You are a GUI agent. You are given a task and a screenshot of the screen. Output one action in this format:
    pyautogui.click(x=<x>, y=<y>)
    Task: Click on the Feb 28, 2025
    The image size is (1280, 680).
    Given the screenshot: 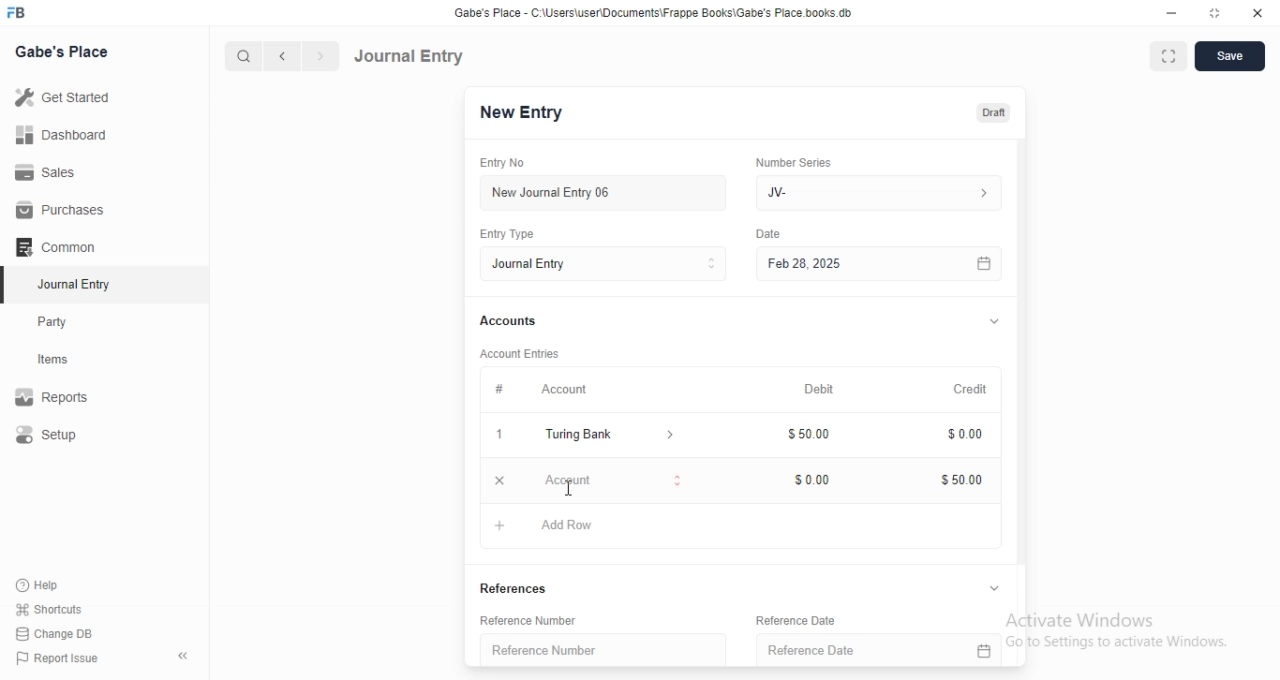 What is the action you would take?
    pyautogui.click(x=860, y=263)
    